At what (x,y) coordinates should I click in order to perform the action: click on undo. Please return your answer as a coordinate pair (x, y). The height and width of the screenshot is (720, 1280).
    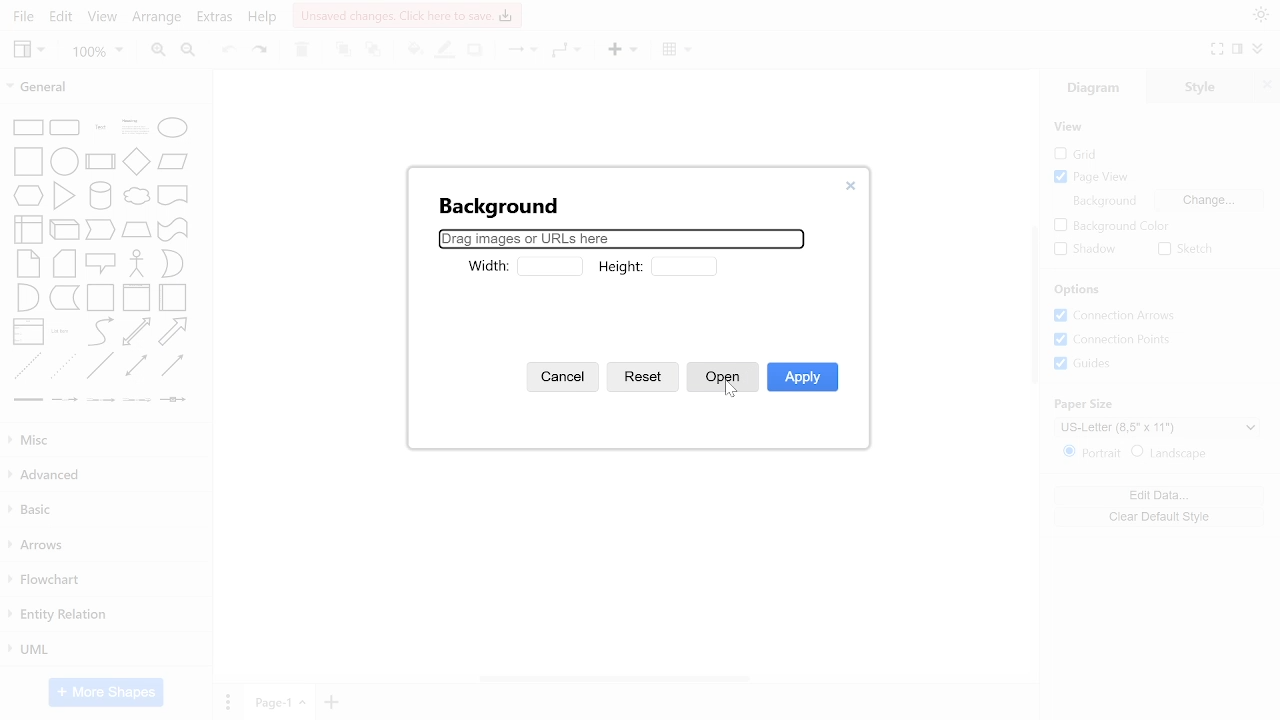
    Looking at the image, I should click on (230, 50).